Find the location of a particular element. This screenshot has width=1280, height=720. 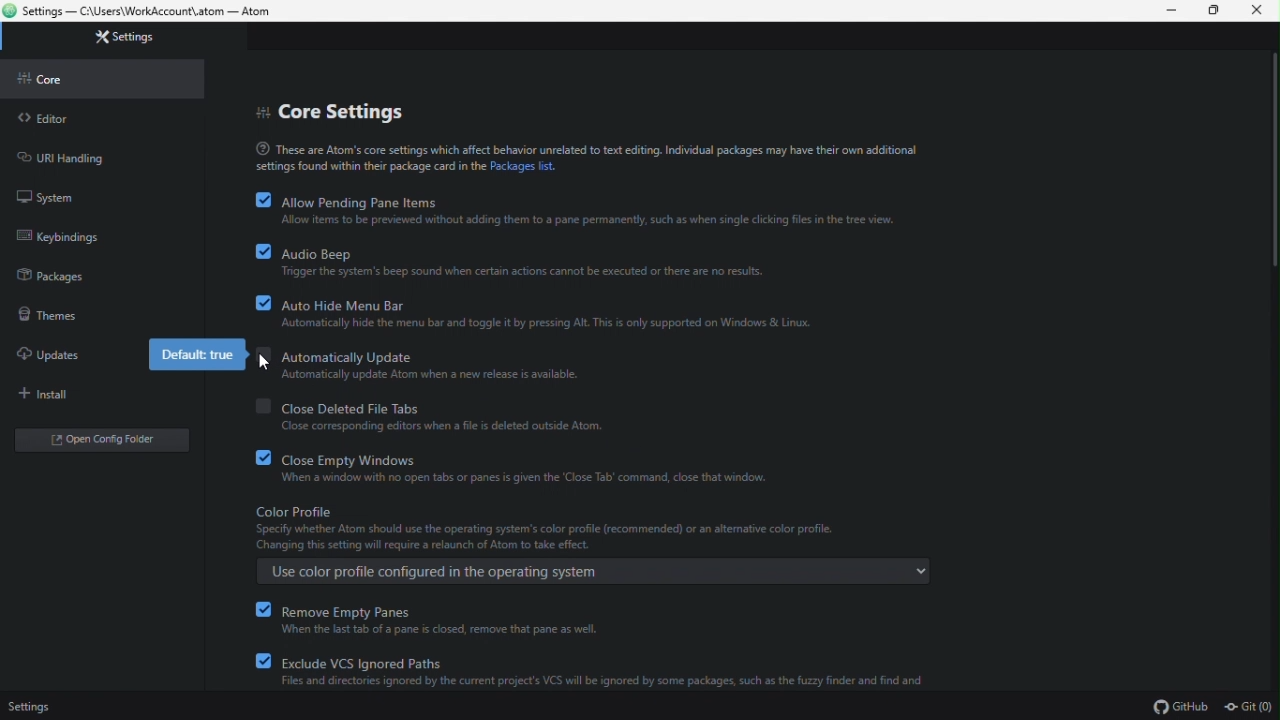

open folder is located at coordinates (88, 438).